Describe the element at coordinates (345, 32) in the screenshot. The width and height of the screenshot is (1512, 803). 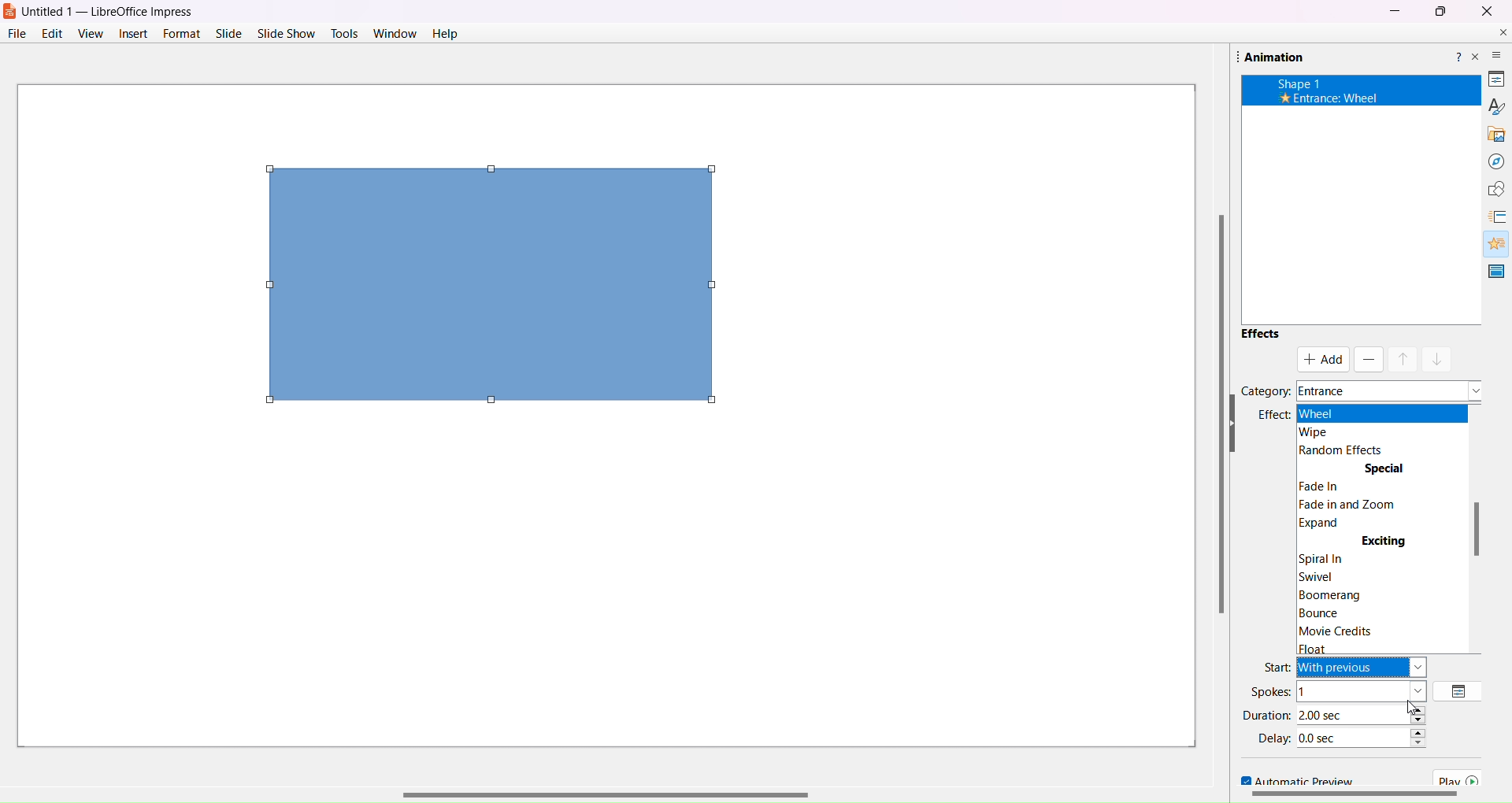
I see `Tools` at that location.